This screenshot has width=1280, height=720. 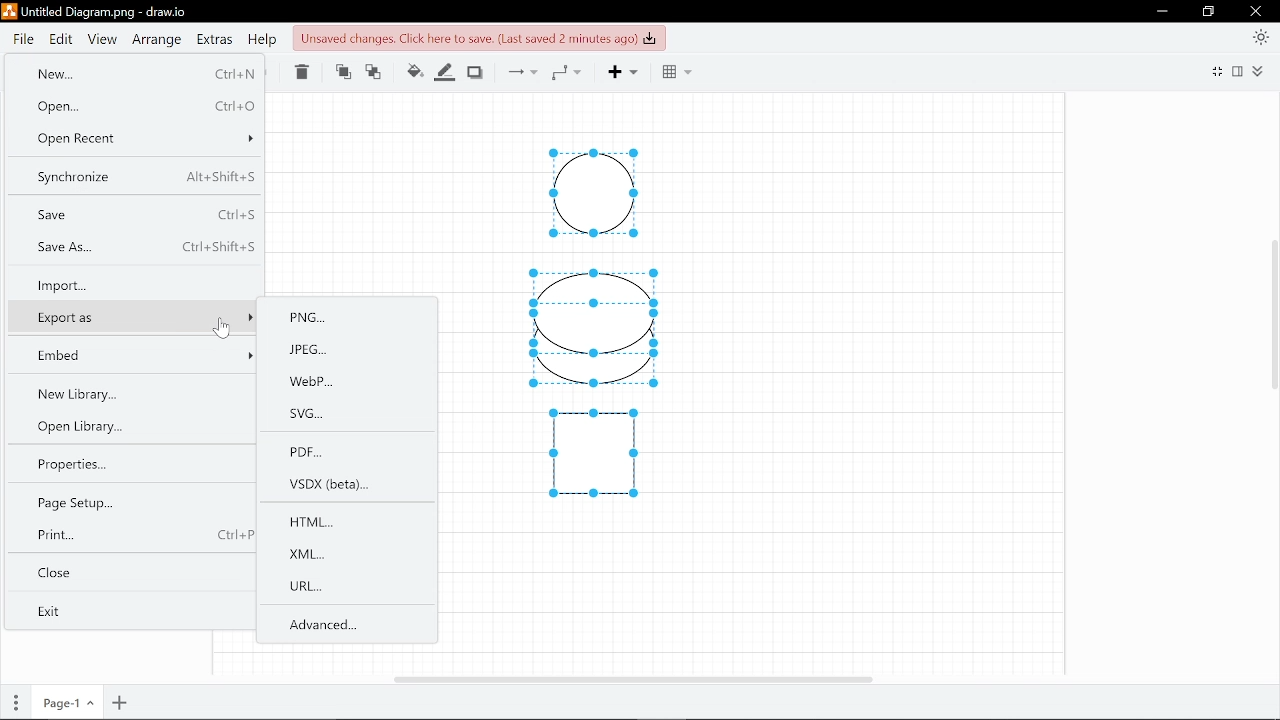 I want to click on JPEG, so click(x=345, y=351).